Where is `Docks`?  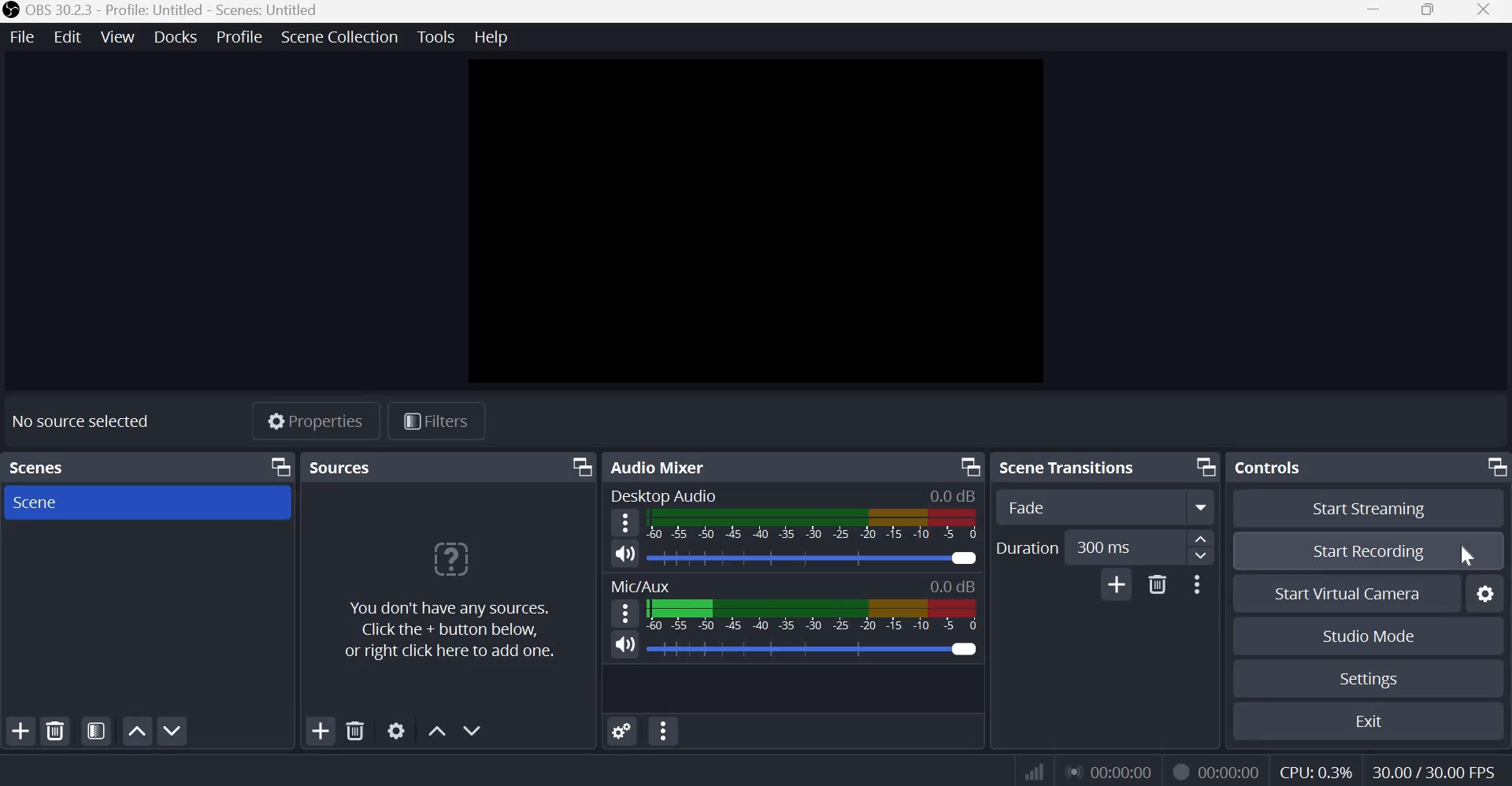
Docks is located at coordinates (174, 37).